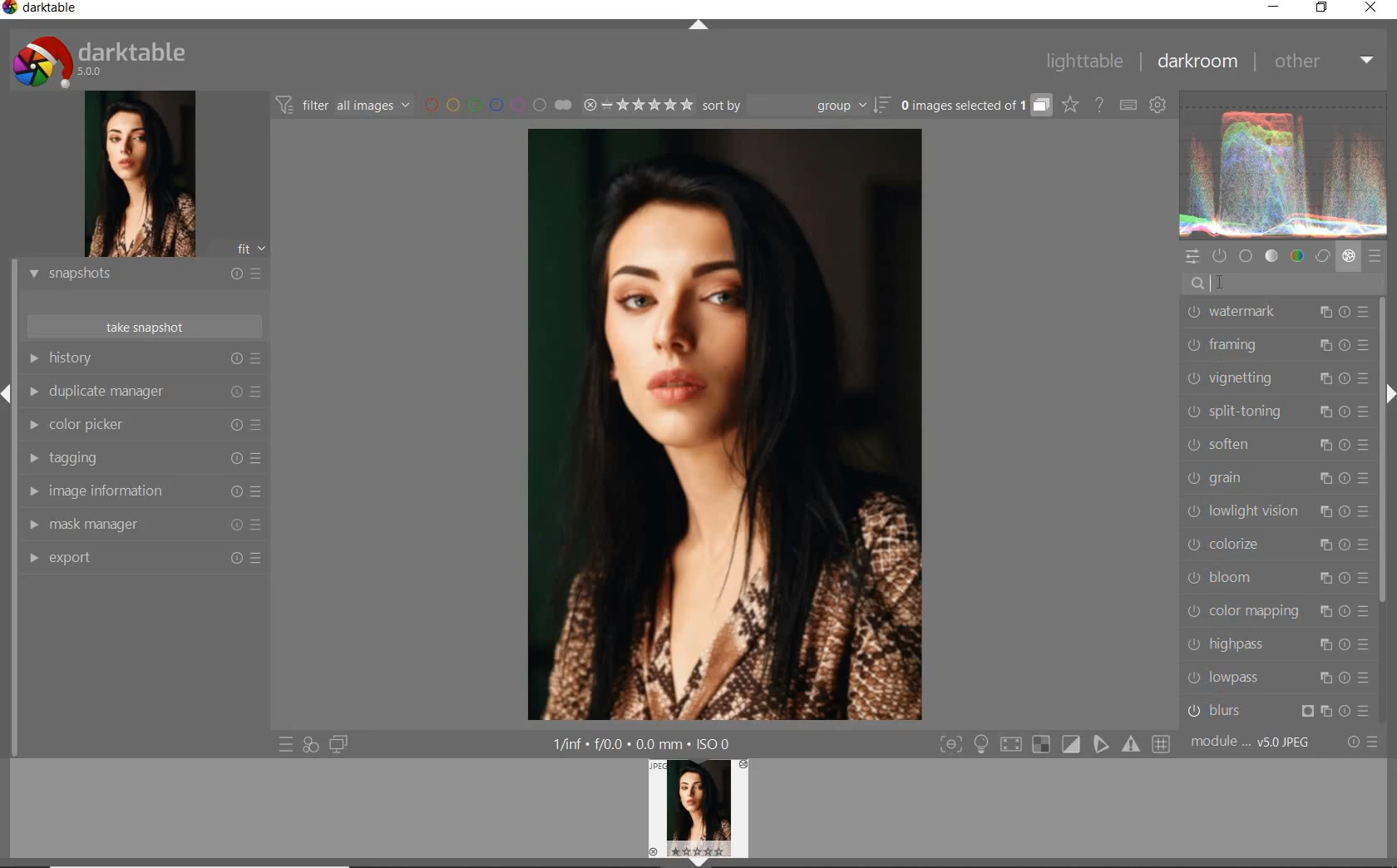 The height and width of the screenshot is (868, 1397). What do you see at coordinates (797, 105) in the screenshot?
I see `sort` at bounding box center [797, 105].